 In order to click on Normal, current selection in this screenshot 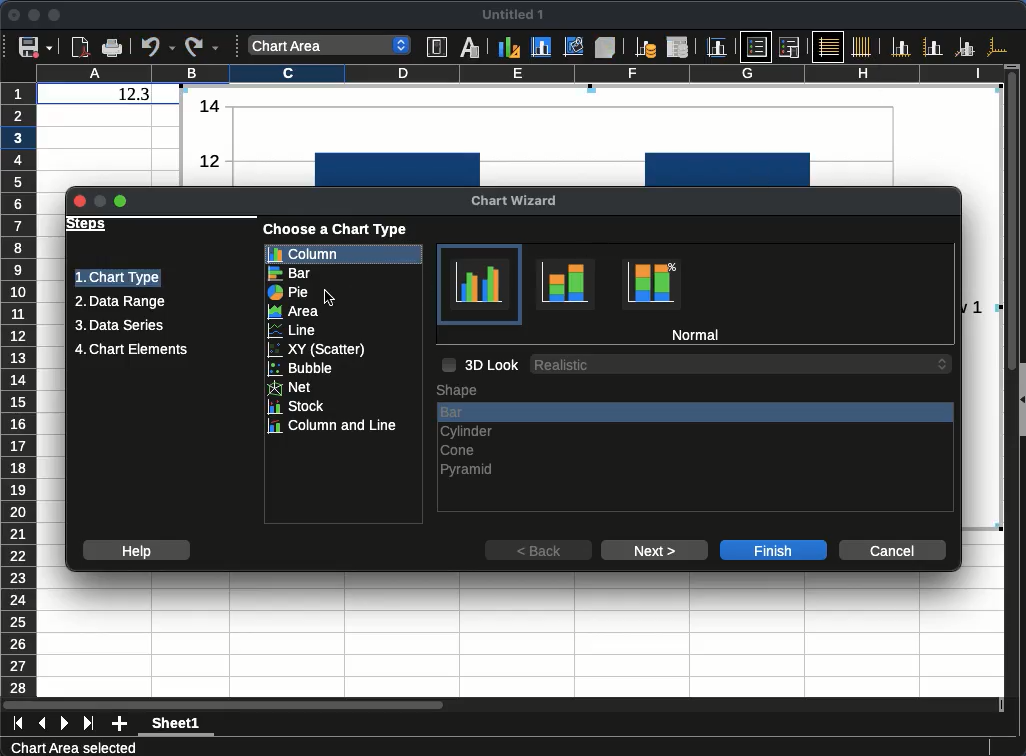, I will do `click(480, 285)`.